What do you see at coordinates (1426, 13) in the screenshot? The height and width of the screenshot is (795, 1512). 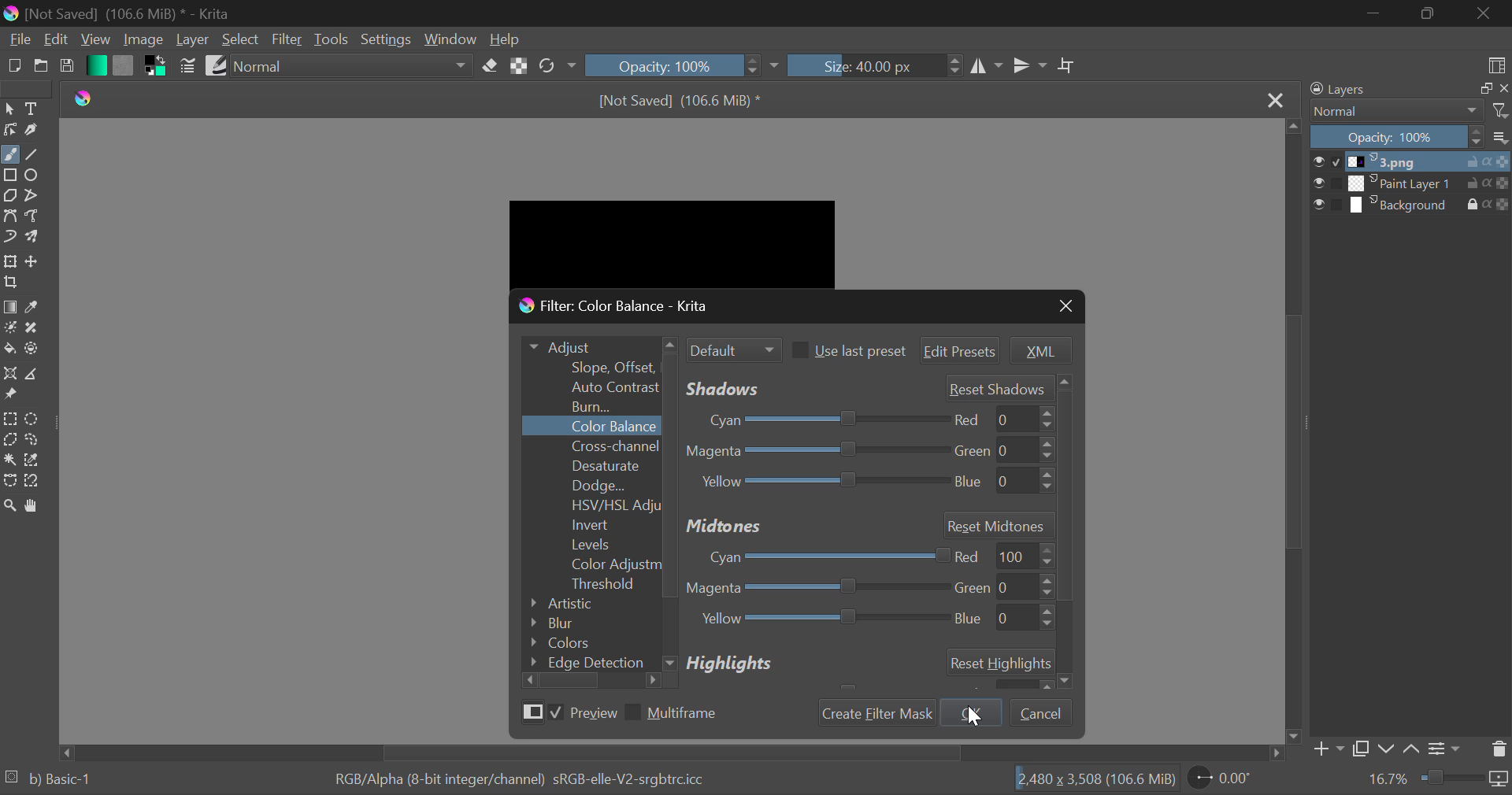 I see `Minimize` at bounding box center [1426, 13].